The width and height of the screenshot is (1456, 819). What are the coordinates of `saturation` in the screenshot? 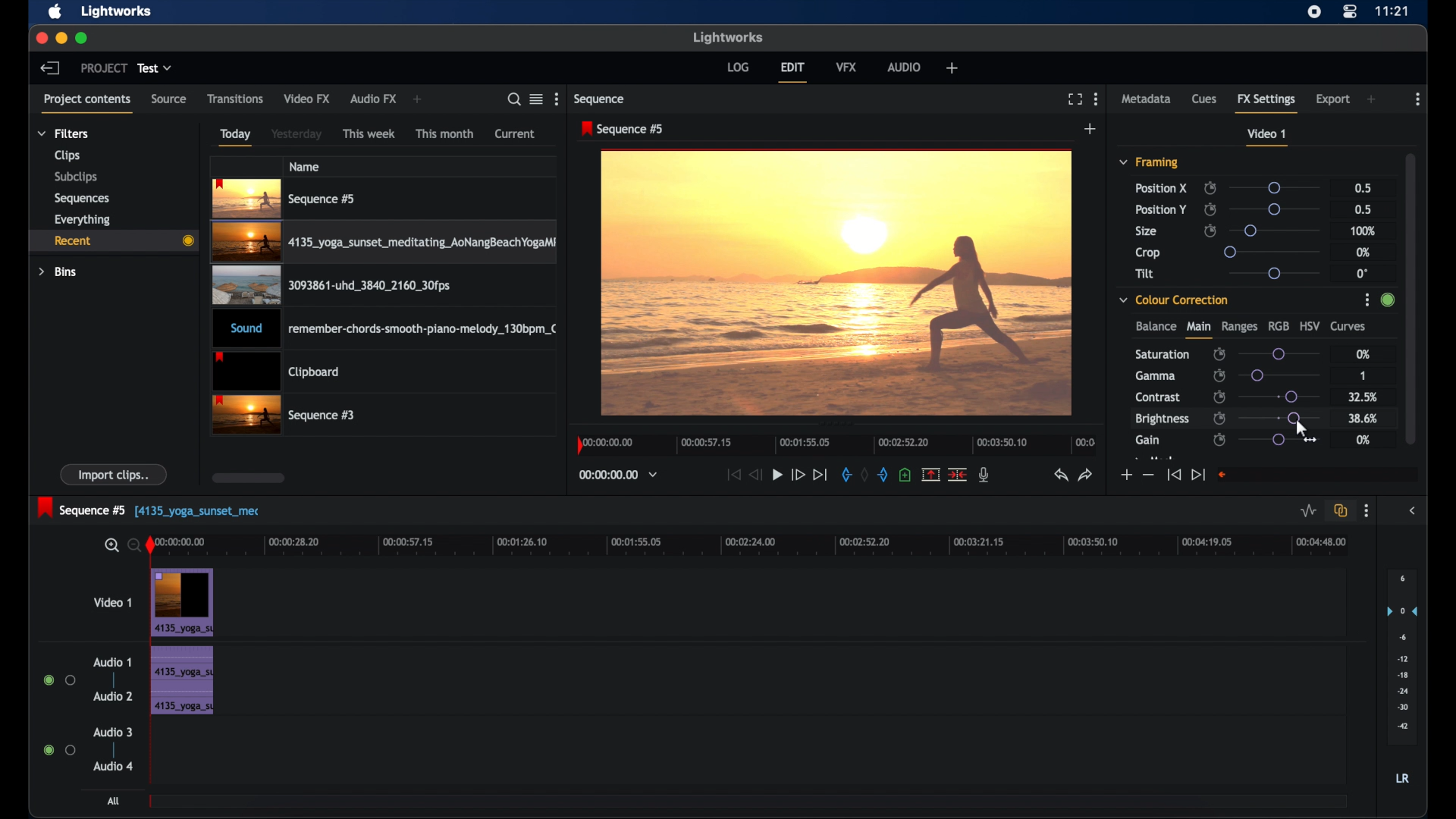 It's located at (1162, 354).